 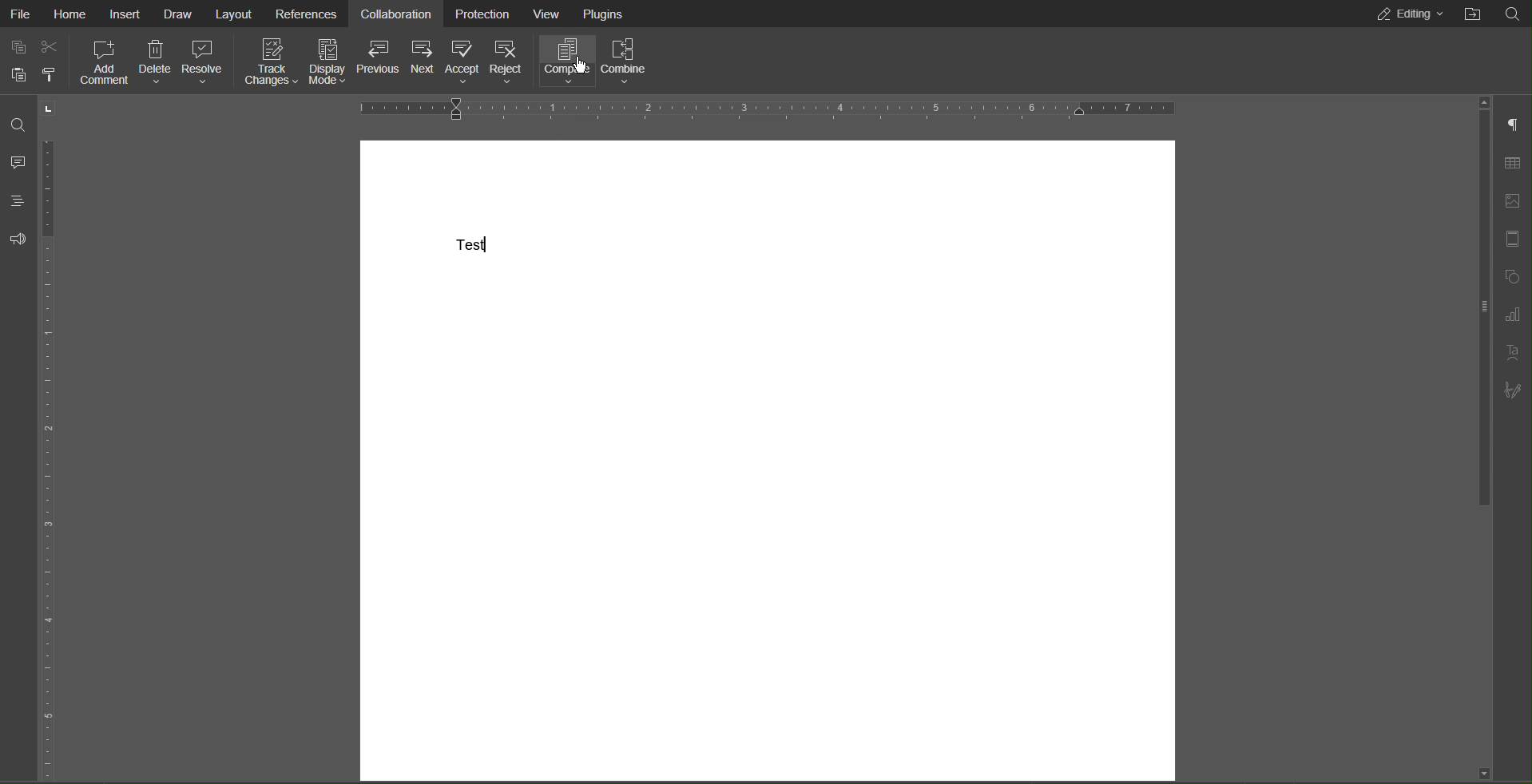 What do you see at coordinates (51, 46) in the screenshot?
I see `Cut` at bounding box center [51, 46].